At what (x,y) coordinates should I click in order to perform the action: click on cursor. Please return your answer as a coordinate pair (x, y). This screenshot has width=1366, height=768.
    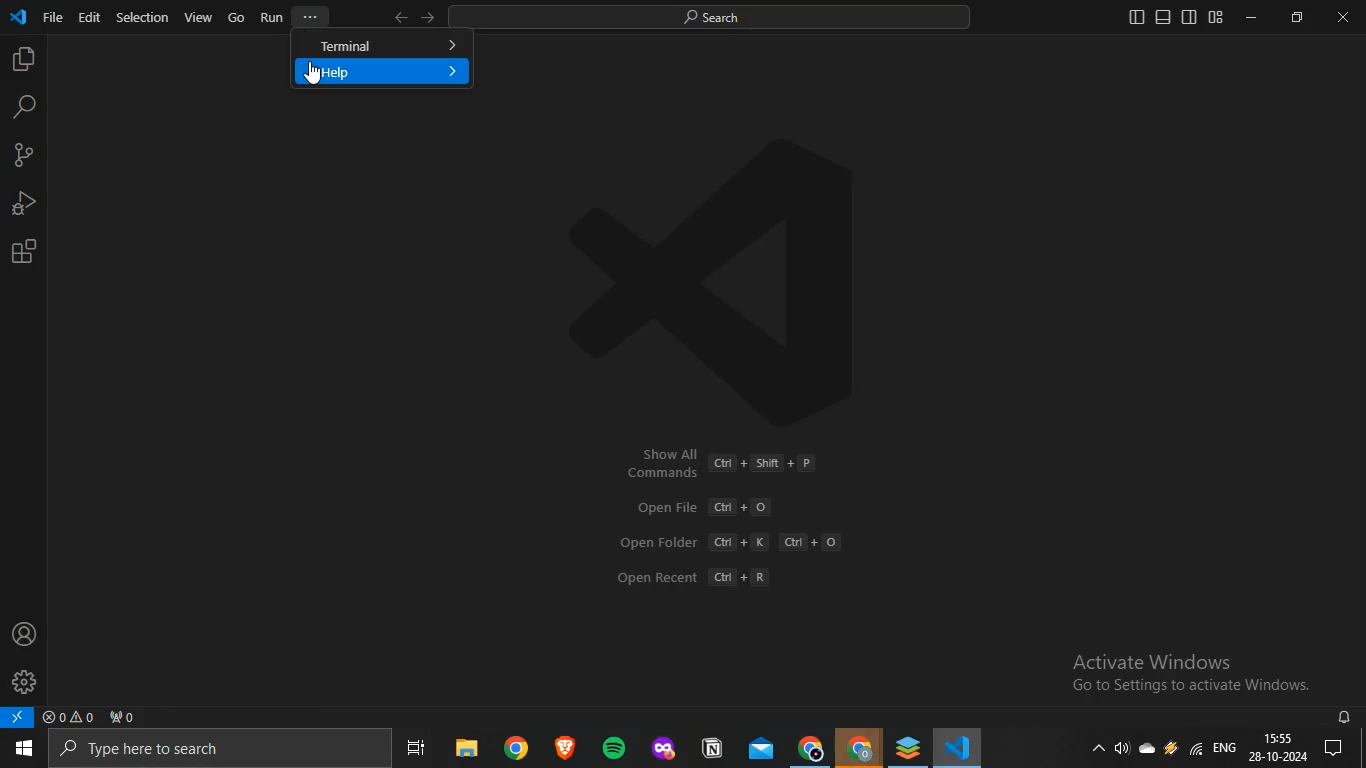
    Looking at the image, I should click on (313, 75).